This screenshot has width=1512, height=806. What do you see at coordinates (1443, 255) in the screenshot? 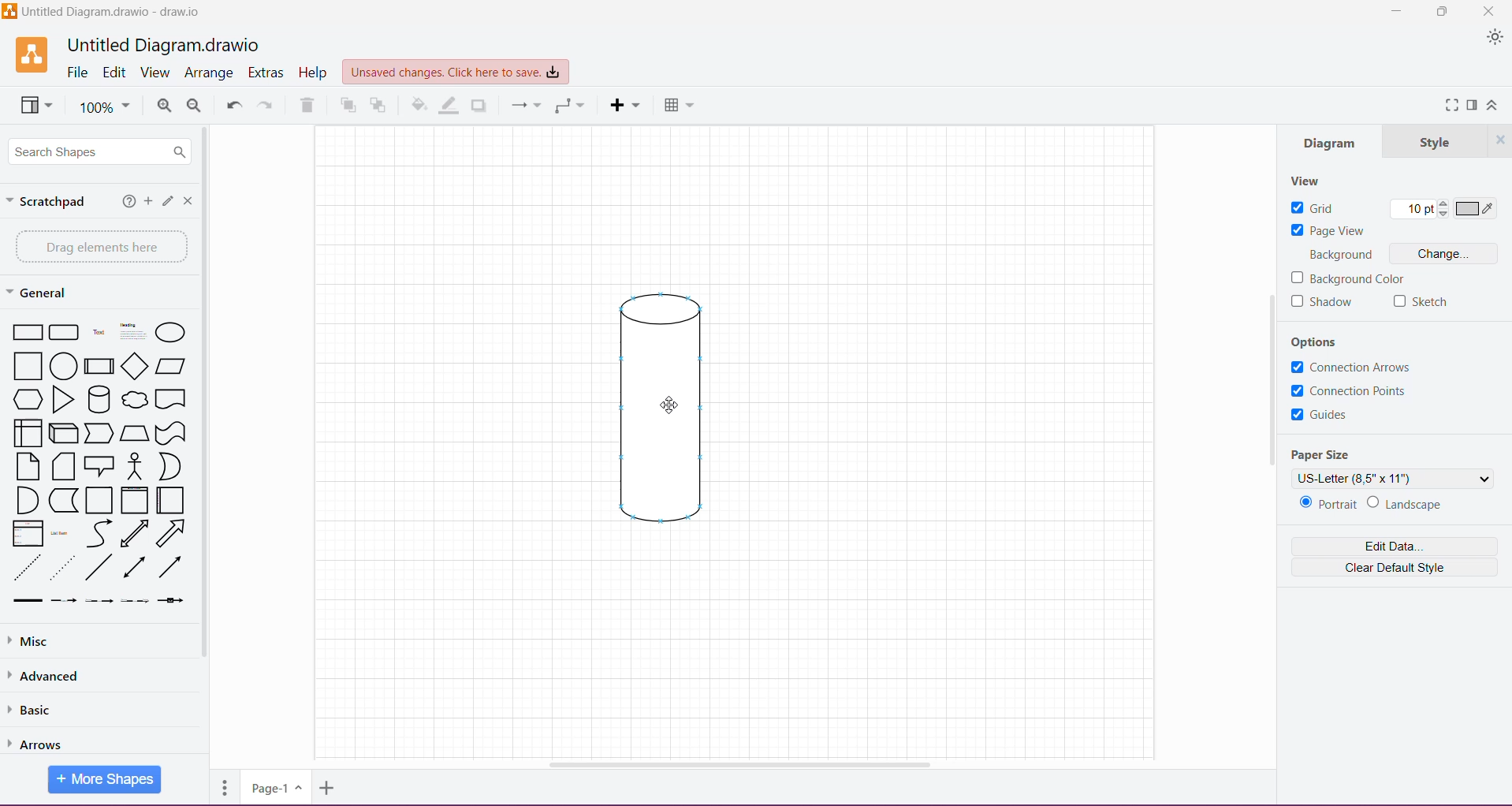
I see `Change` at bounding box center [1443, 255].